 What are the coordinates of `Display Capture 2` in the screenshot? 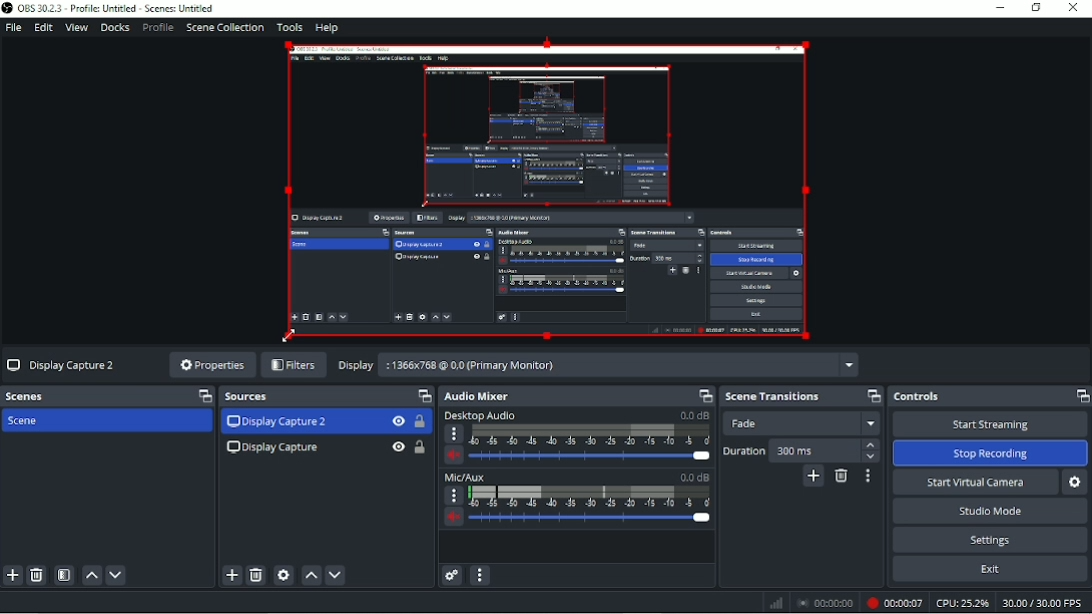 It's located at (276, 422).